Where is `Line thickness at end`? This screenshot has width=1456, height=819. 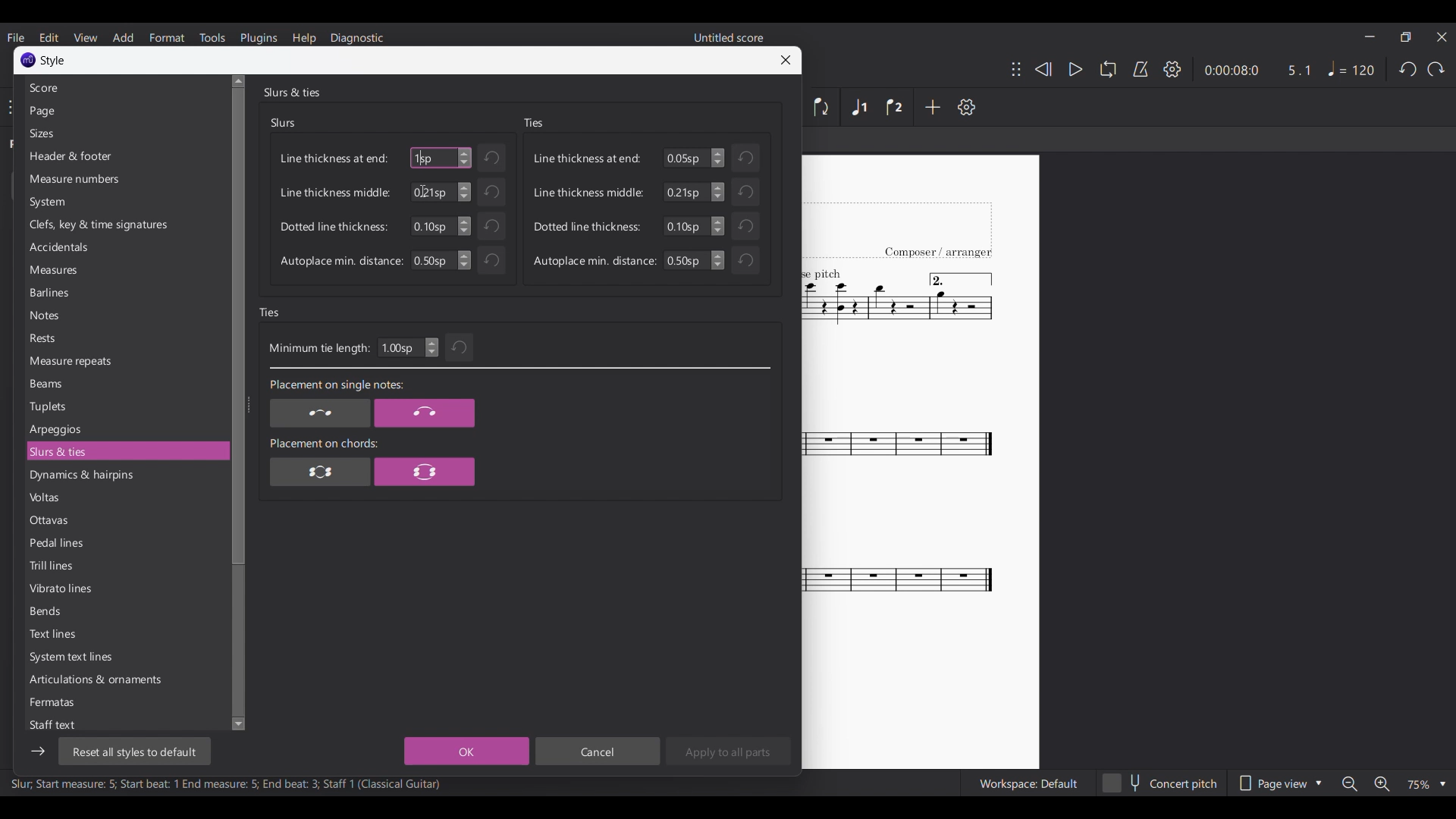 Line thickness at end is located at coordinates (588, 158).